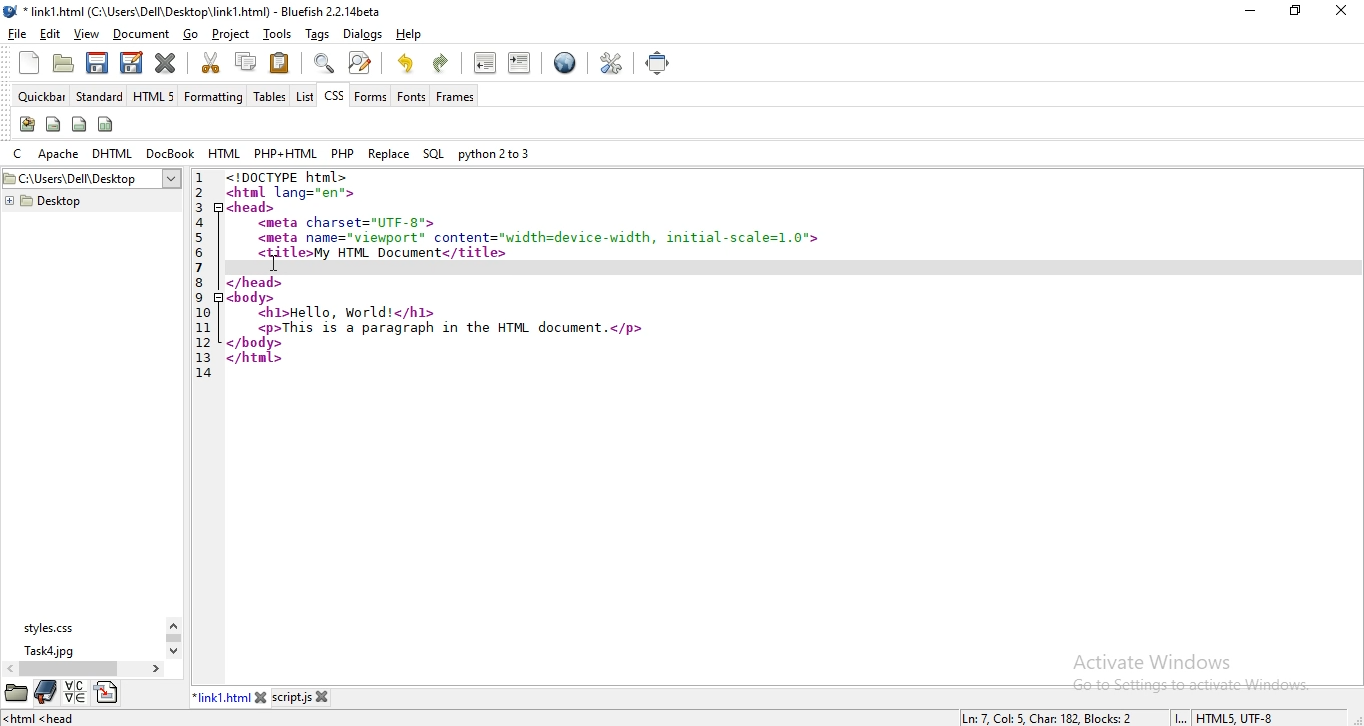 This screenshot has width=1364, height=726. What do you see at coordinates (49, 33) in the screenshot?
I see `edit` at bounding box center [49, 33].